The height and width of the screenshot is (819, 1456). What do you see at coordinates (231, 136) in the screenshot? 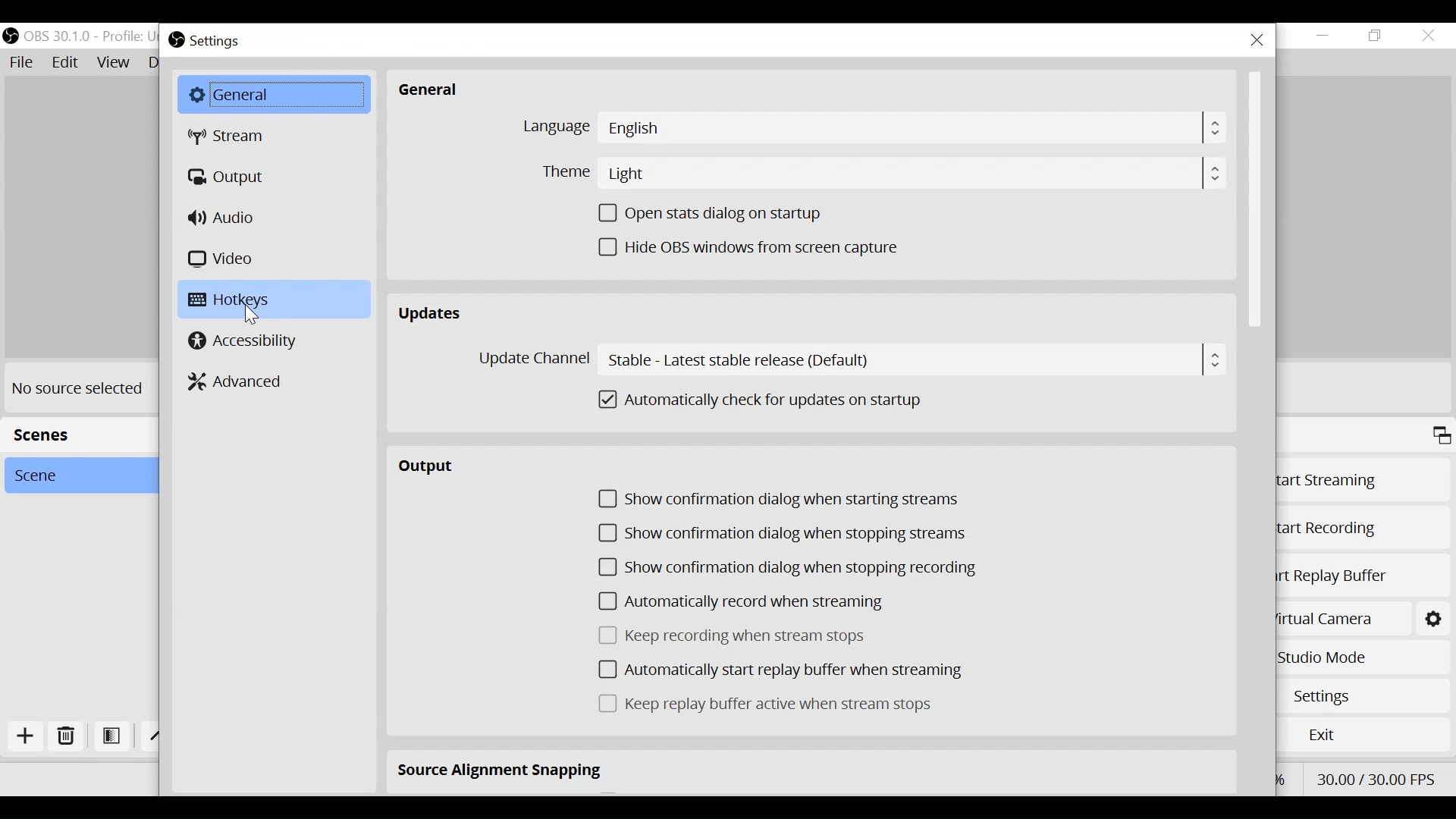
I see `Stream` at bounding box center [231, 136].